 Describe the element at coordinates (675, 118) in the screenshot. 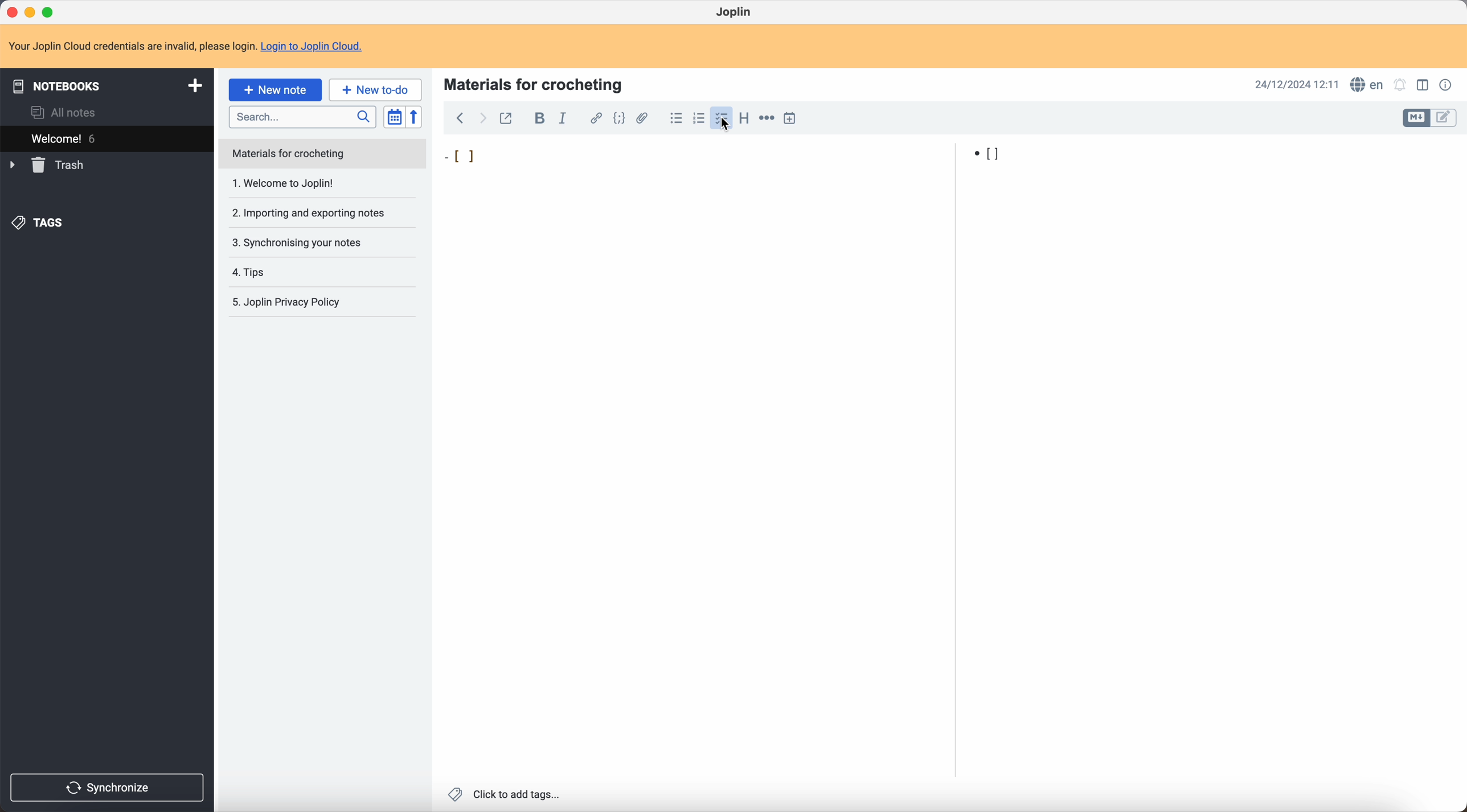

I see `bulleted list` at that location.